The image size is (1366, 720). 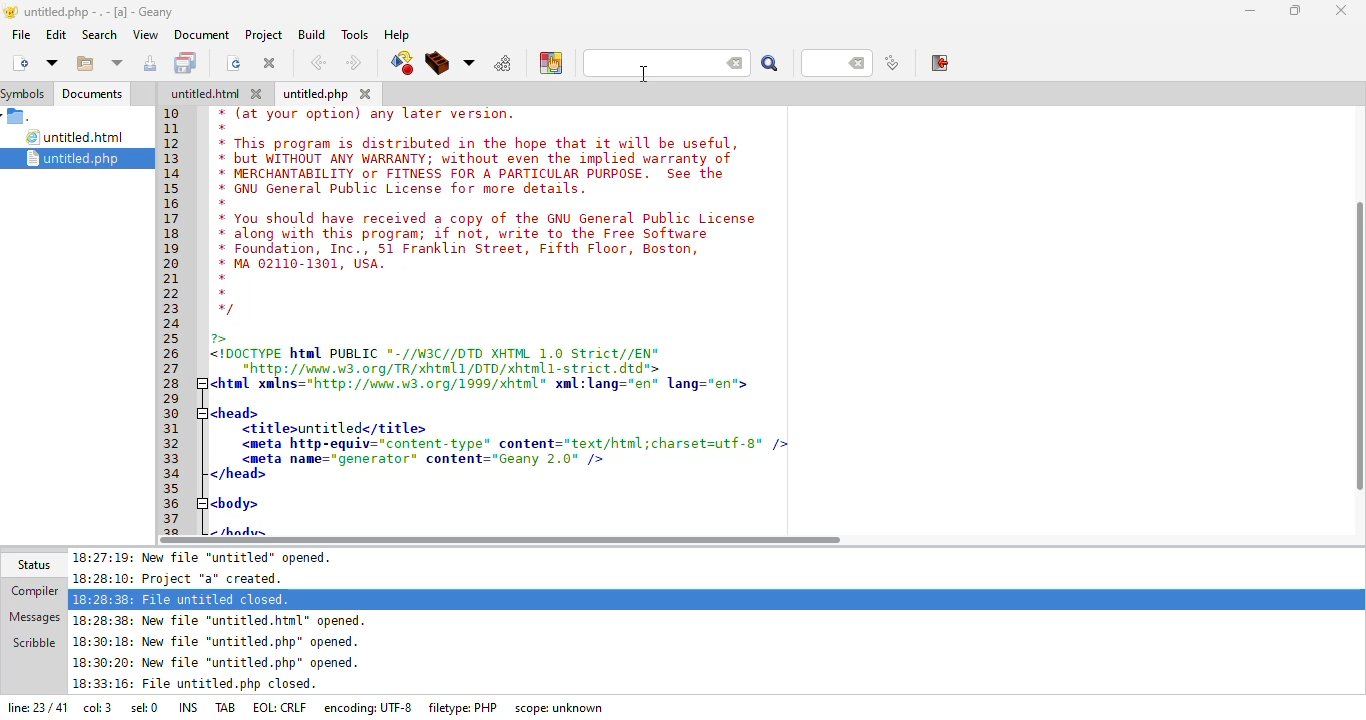 What do you see at coordinates (1362, 338) in the screenshot?
I see `scroll bar` at bounding box center [1362, 338].